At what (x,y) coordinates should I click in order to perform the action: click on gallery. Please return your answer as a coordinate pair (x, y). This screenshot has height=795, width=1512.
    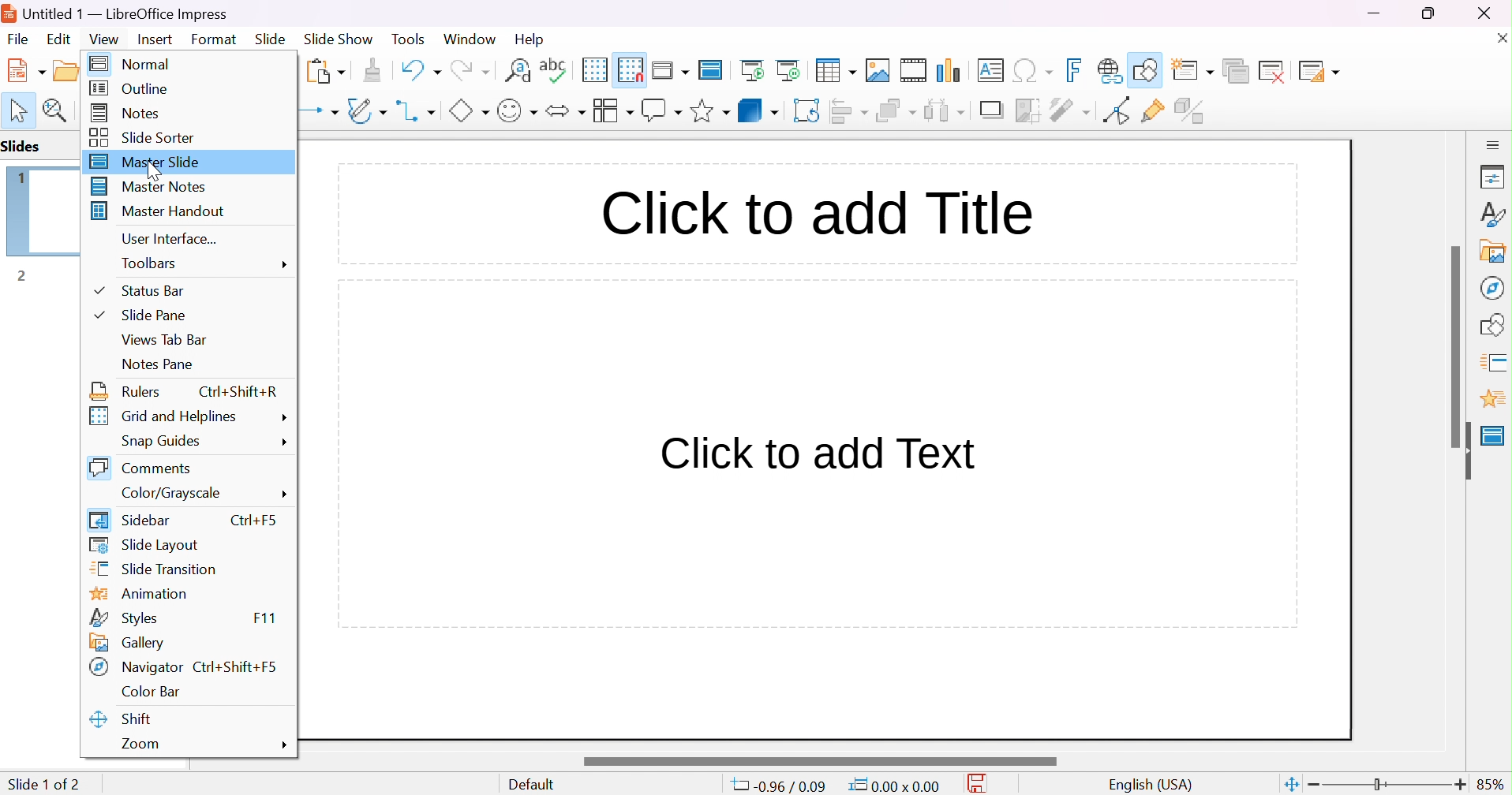
    Looking at the image, I should click on (1496, 251).